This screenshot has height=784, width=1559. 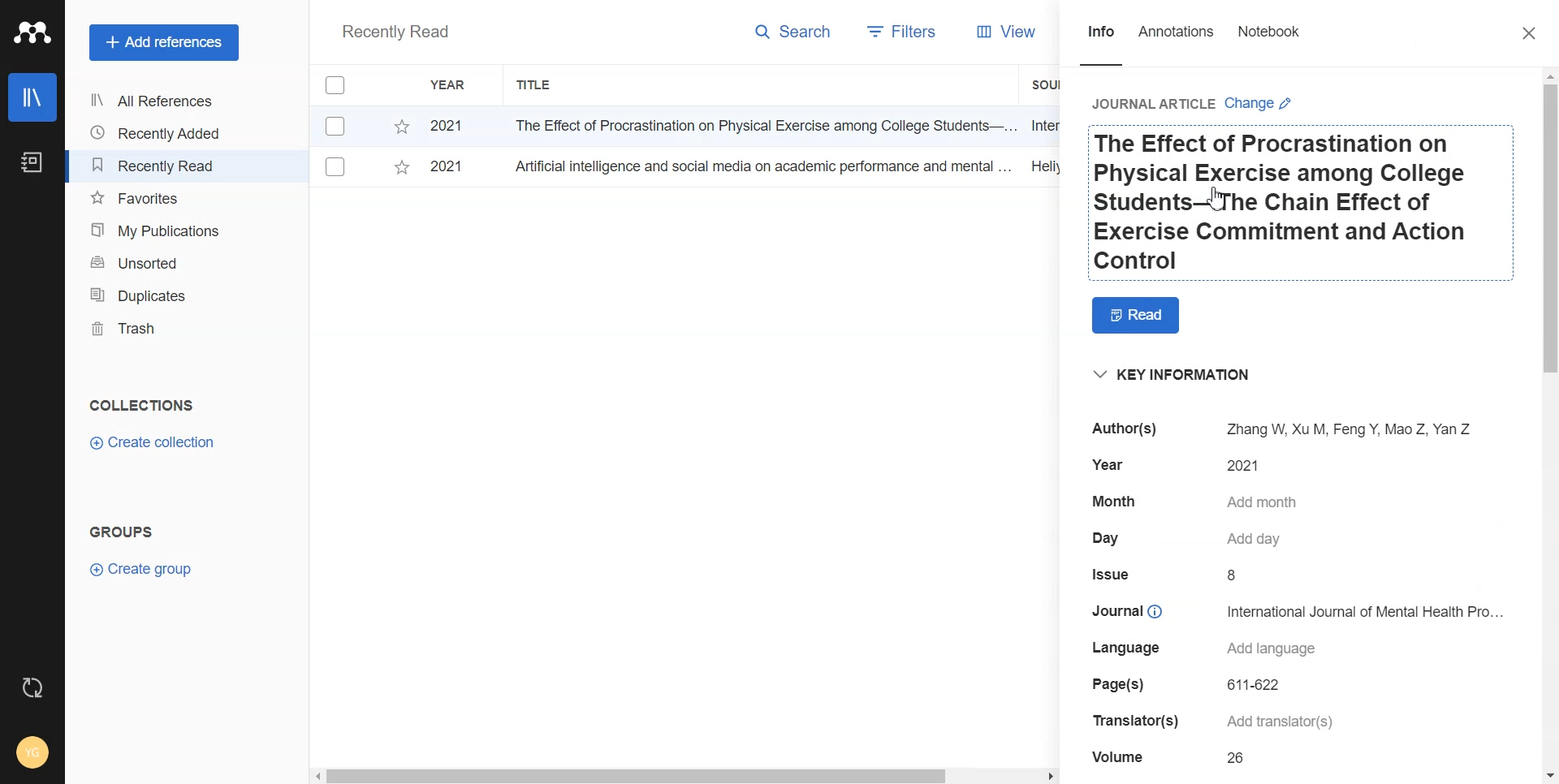 I want to click on Translator(s) Add translator(s), so click(x=1250, y=723).